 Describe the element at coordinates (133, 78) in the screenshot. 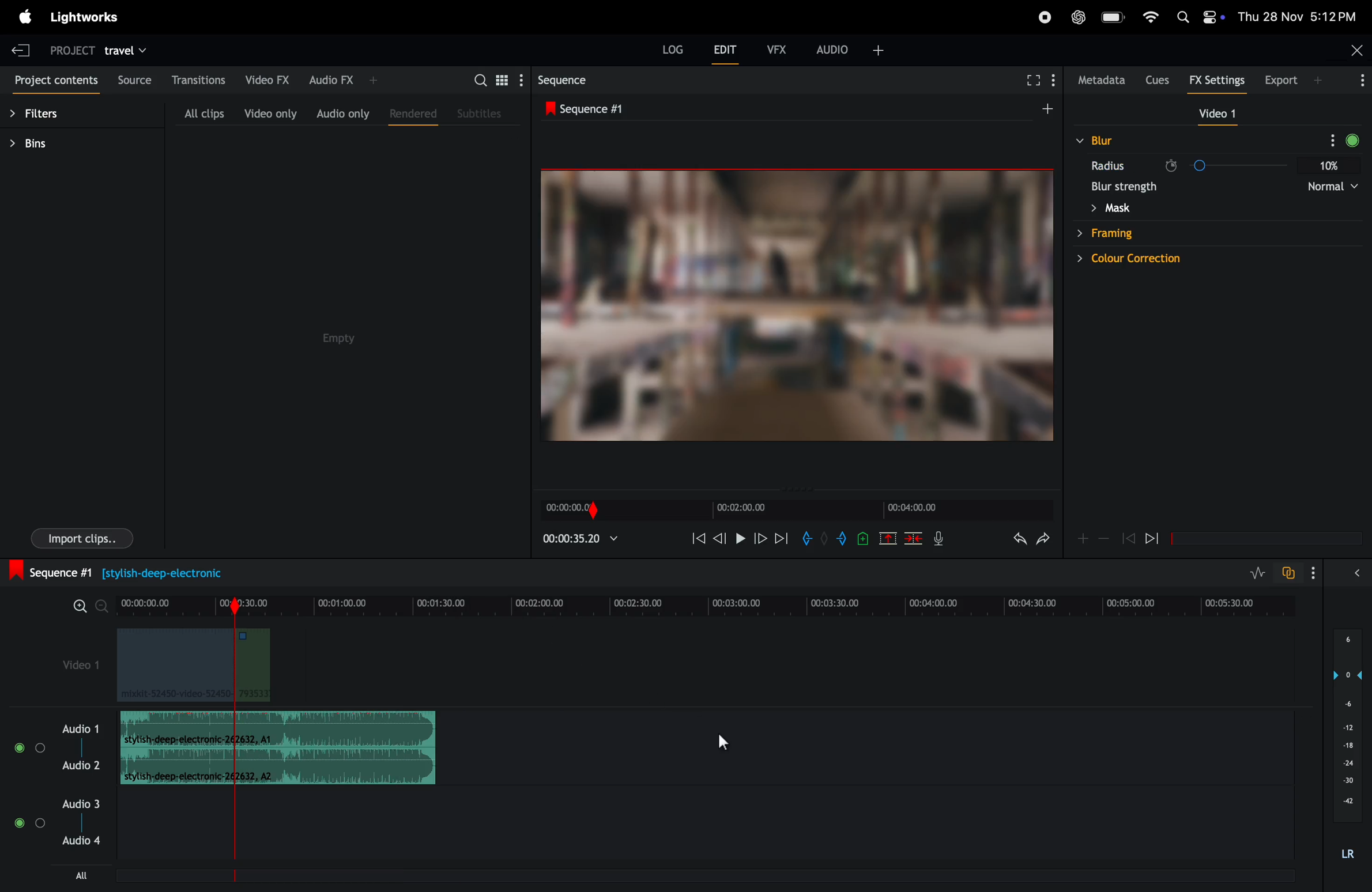

I see `source` at that location.